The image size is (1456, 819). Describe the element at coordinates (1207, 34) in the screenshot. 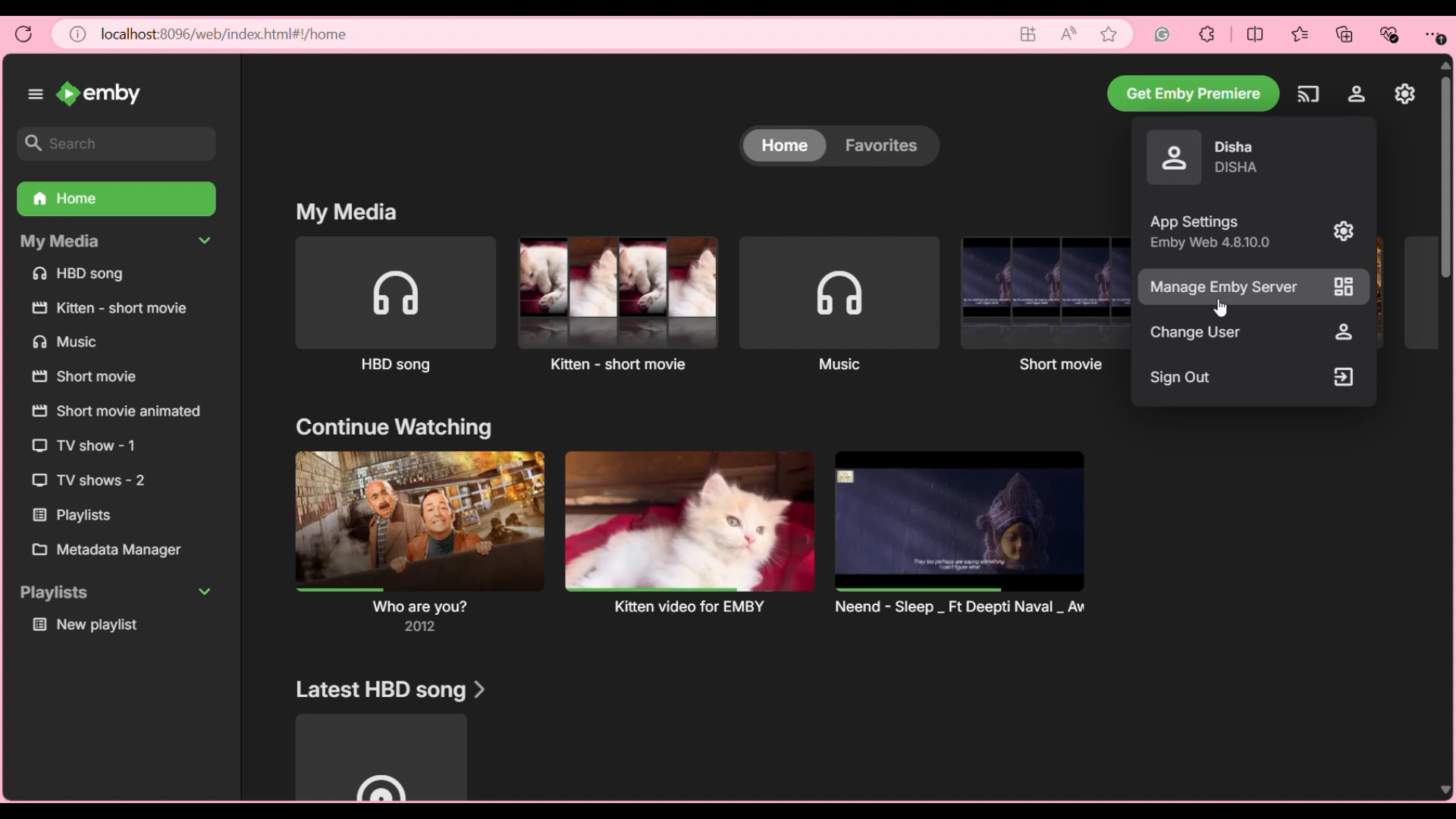

I see `Browser extensions` at that location.